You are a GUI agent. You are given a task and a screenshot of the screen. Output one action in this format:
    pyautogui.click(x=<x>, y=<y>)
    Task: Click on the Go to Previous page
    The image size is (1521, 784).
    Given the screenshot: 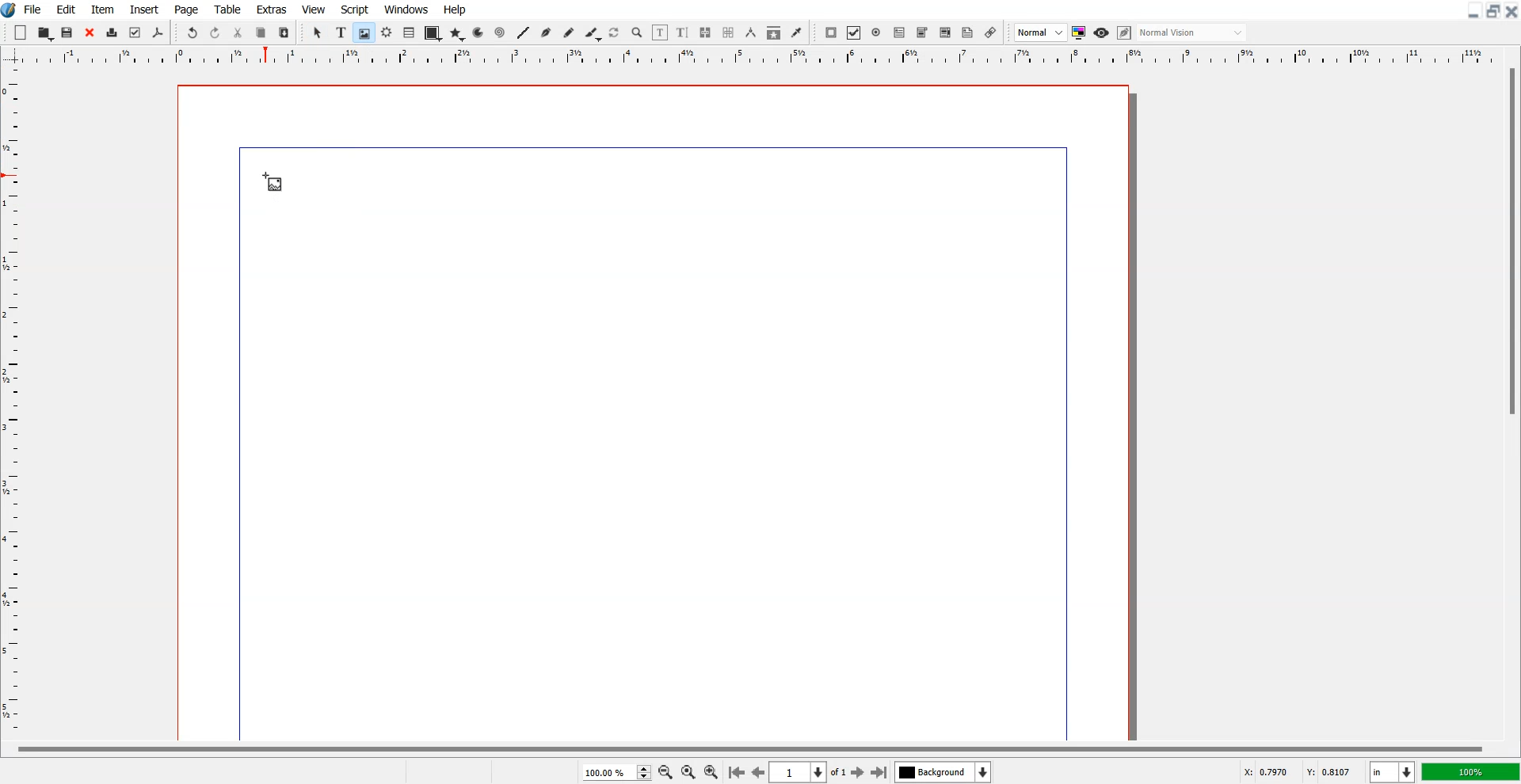 What is the action you would take?
    pyautogui.click(x=757, y=772)
    